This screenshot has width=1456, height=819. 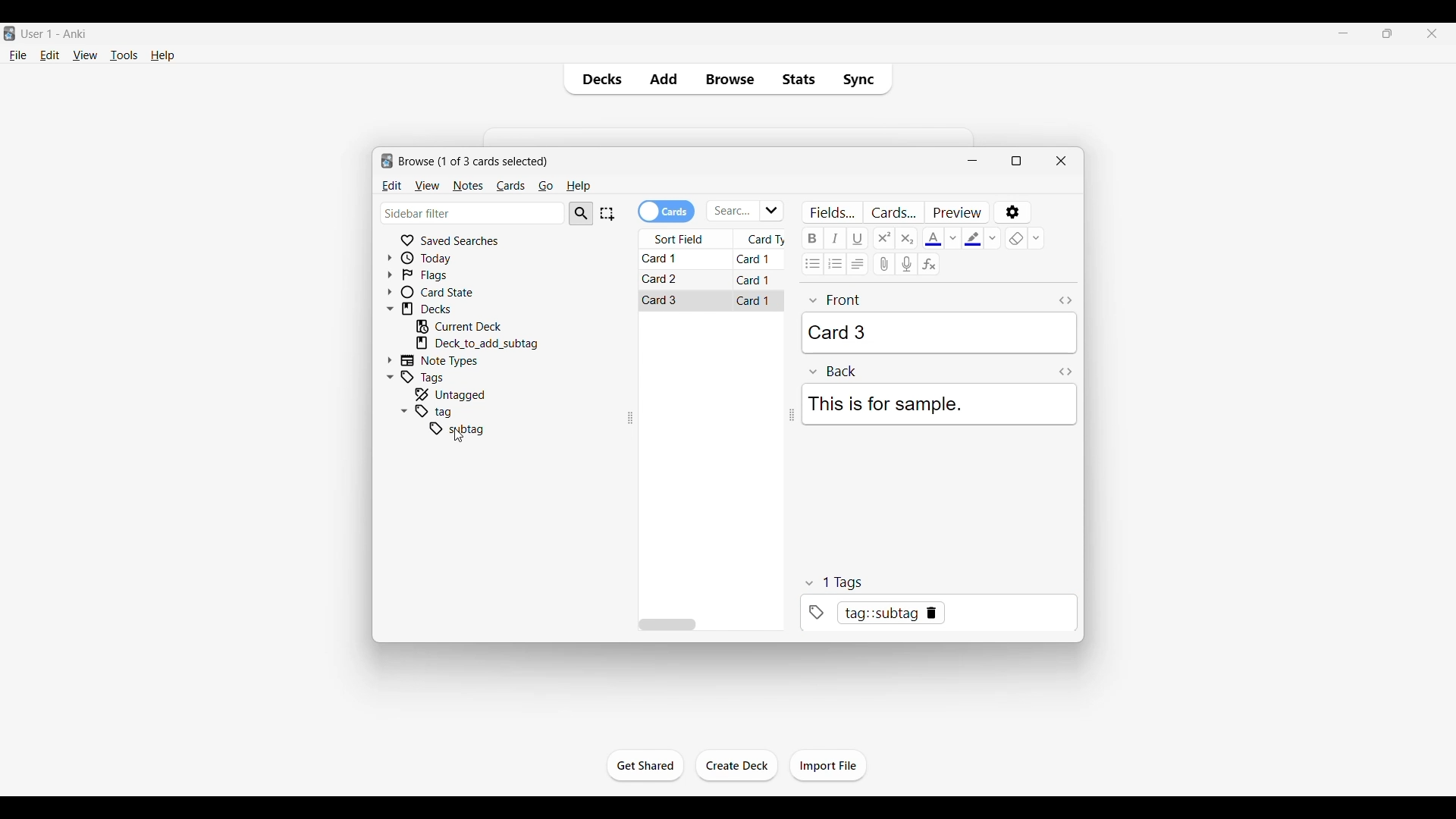 What do you see at coordinates (730, 79) in the screenshot?
I see `Browse` at bounding box center [730, 79].